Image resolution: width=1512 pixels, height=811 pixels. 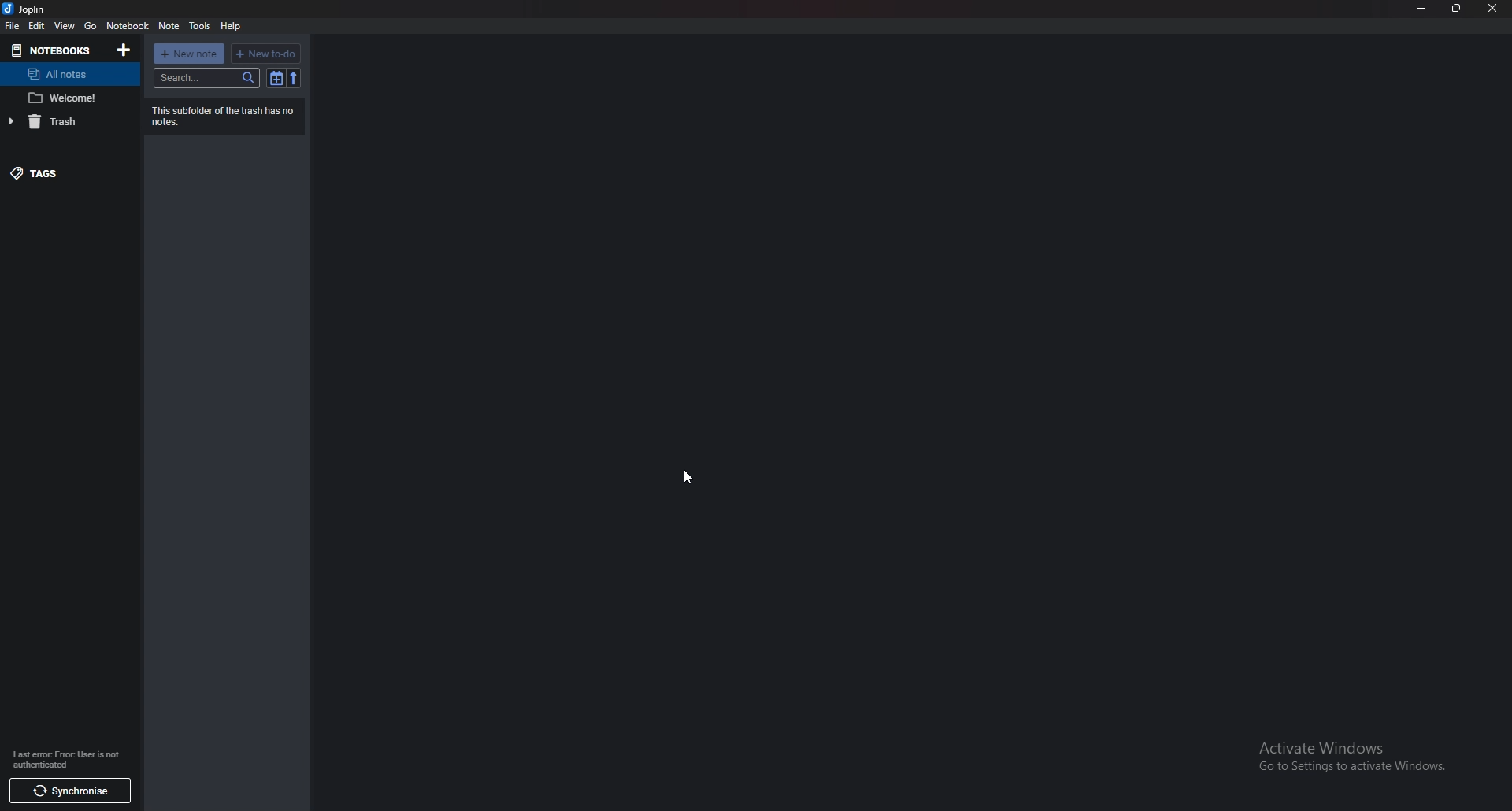 I want to click on Activate windows pop up, so click(x=1362, y=761).